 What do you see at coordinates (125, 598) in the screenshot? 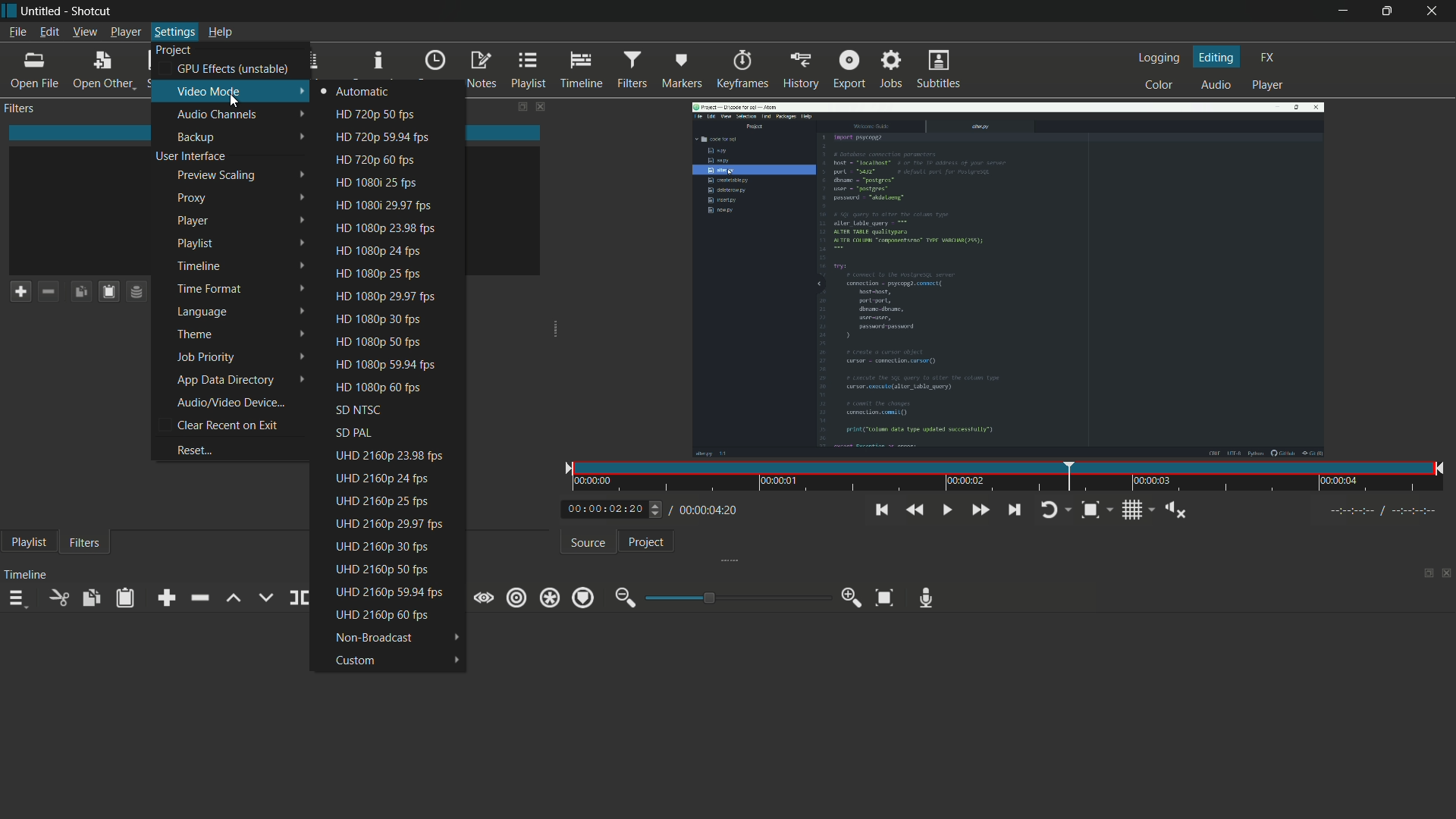
I see `paste filters` at bounding box center [125, 598].